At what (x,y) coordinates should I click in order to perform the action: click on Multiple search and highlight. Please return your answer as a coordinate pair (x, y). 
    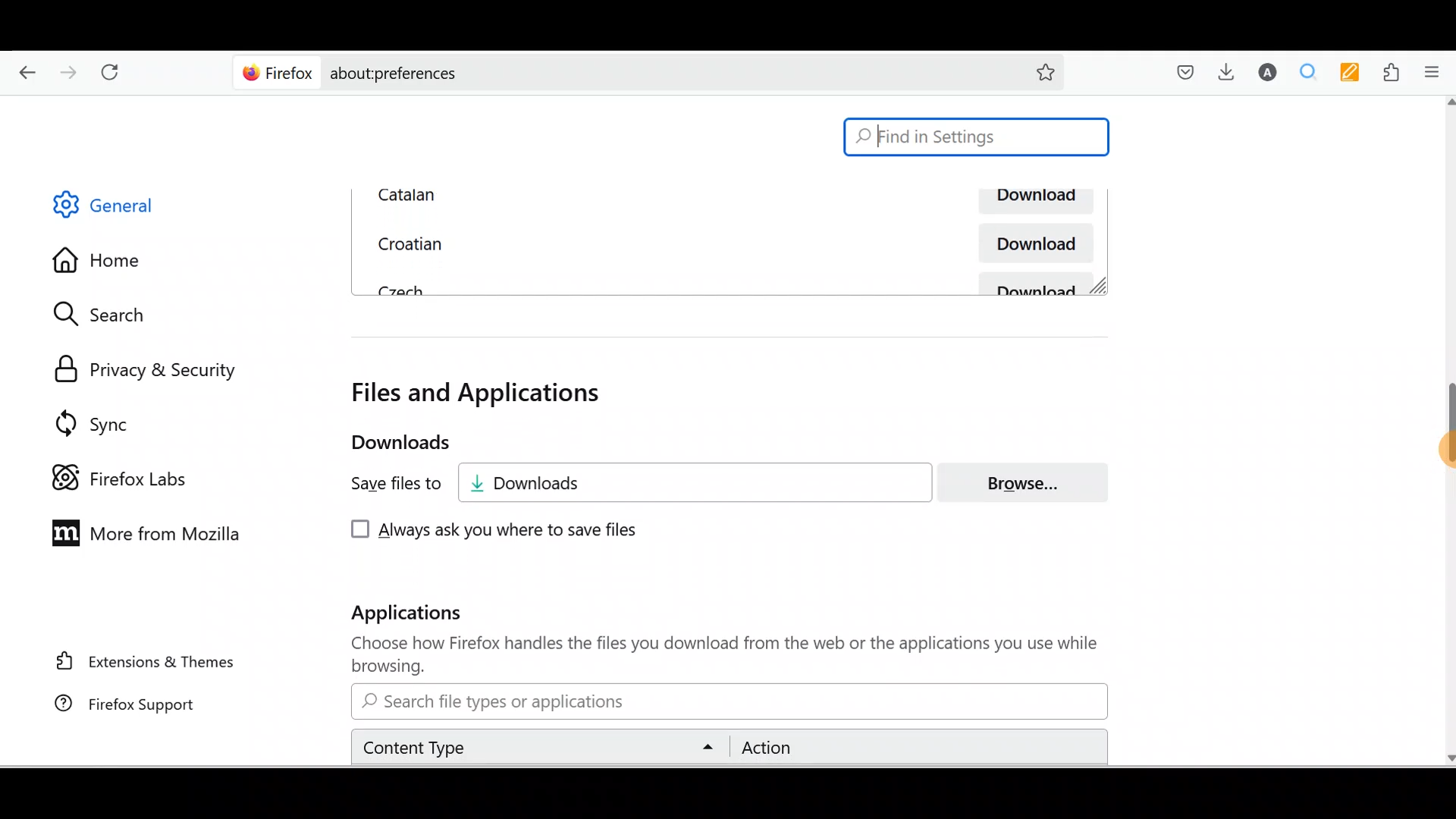
    Looking at the image, I should click on (1313, 72).